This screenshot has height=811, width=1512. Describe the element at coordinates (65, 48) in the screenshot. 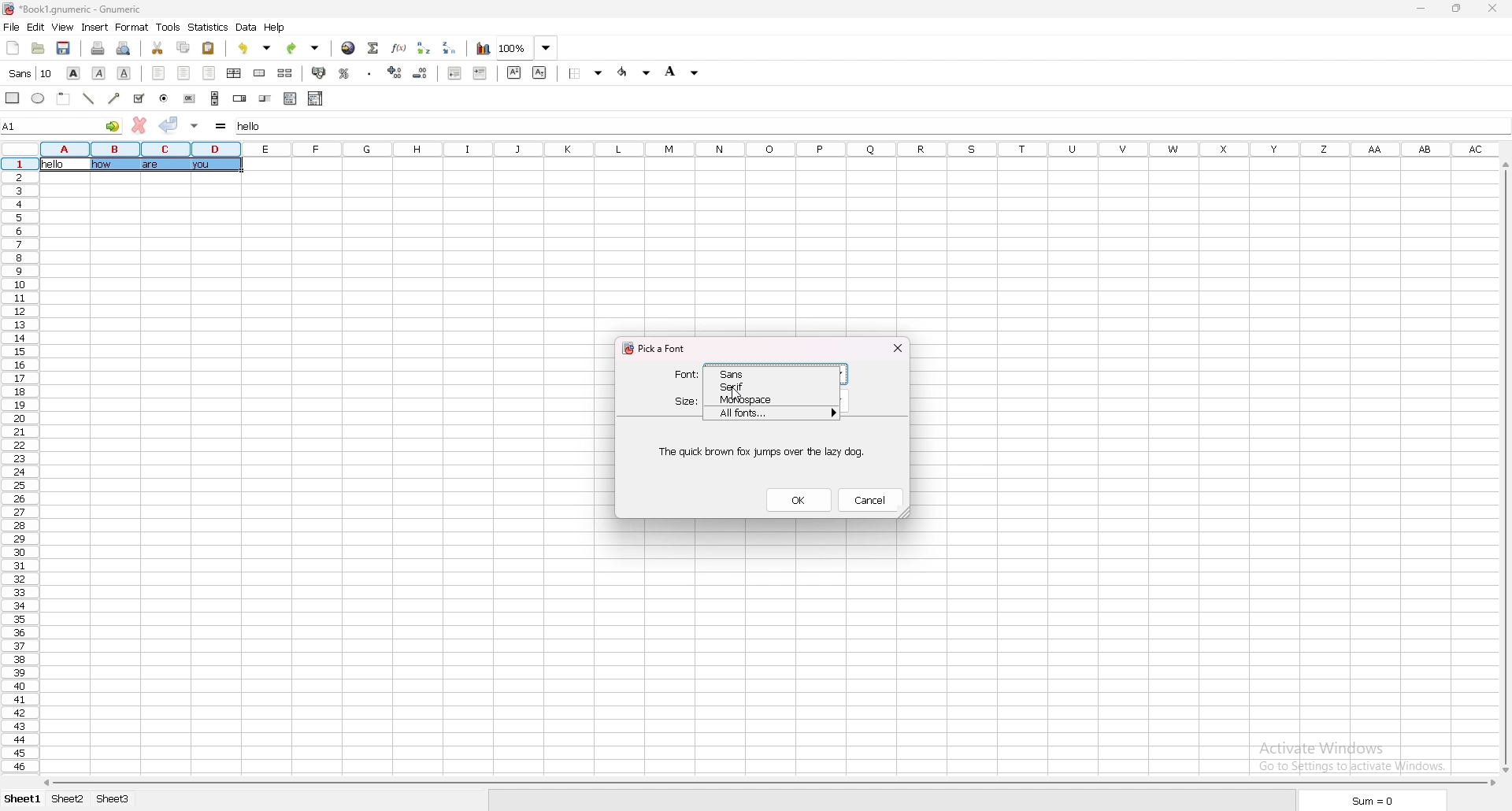

I see `save` at that location.